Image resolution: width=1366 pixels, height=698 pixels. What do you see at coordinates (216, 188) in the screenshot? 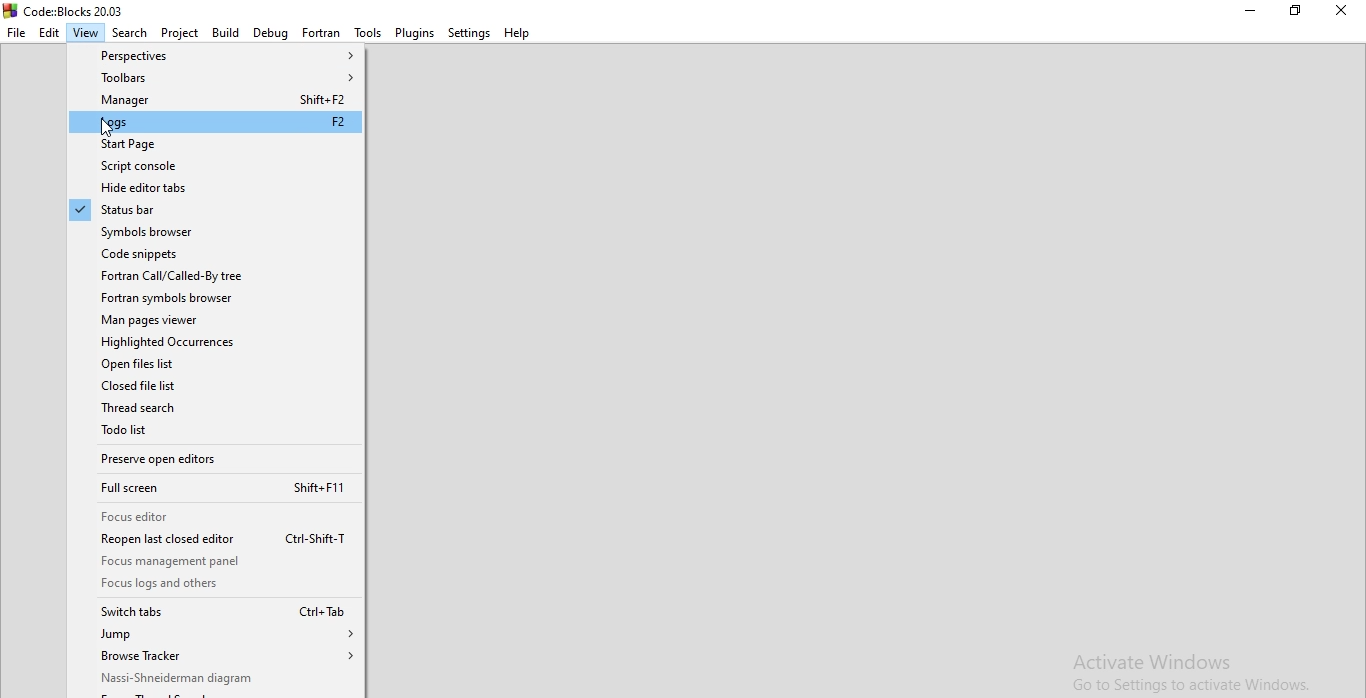
I see `Hide editor tabs` at bounding box center [216, 188].